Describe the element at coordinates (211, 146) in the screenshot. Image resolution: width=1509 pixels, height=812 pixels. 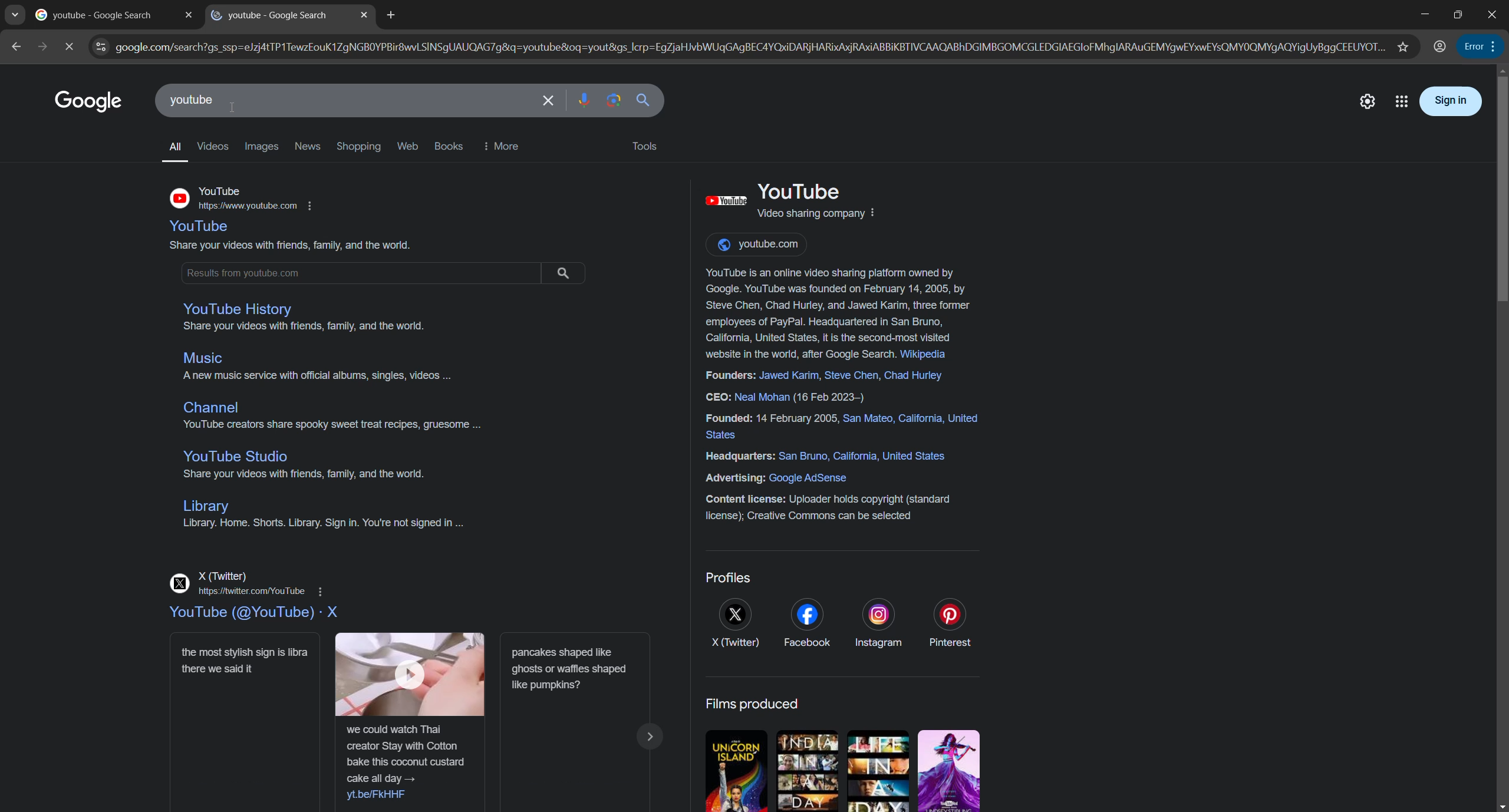
I see `videos` at that location.